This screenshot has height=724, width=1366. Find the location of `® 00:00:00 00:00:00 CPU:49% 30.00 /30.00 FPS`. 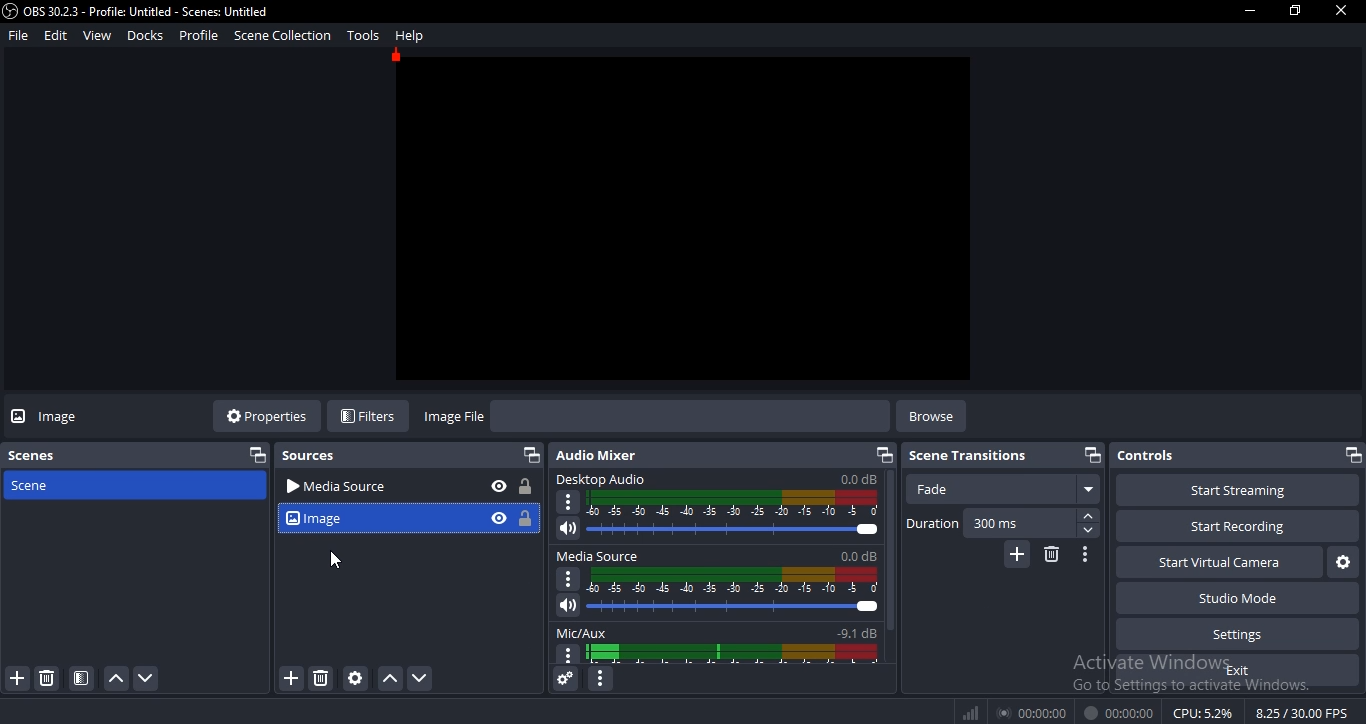

® 00:00:00 00:00:00 CPU:49% 30.00 /30.00 FPS is located at coordinates (1155, 712).